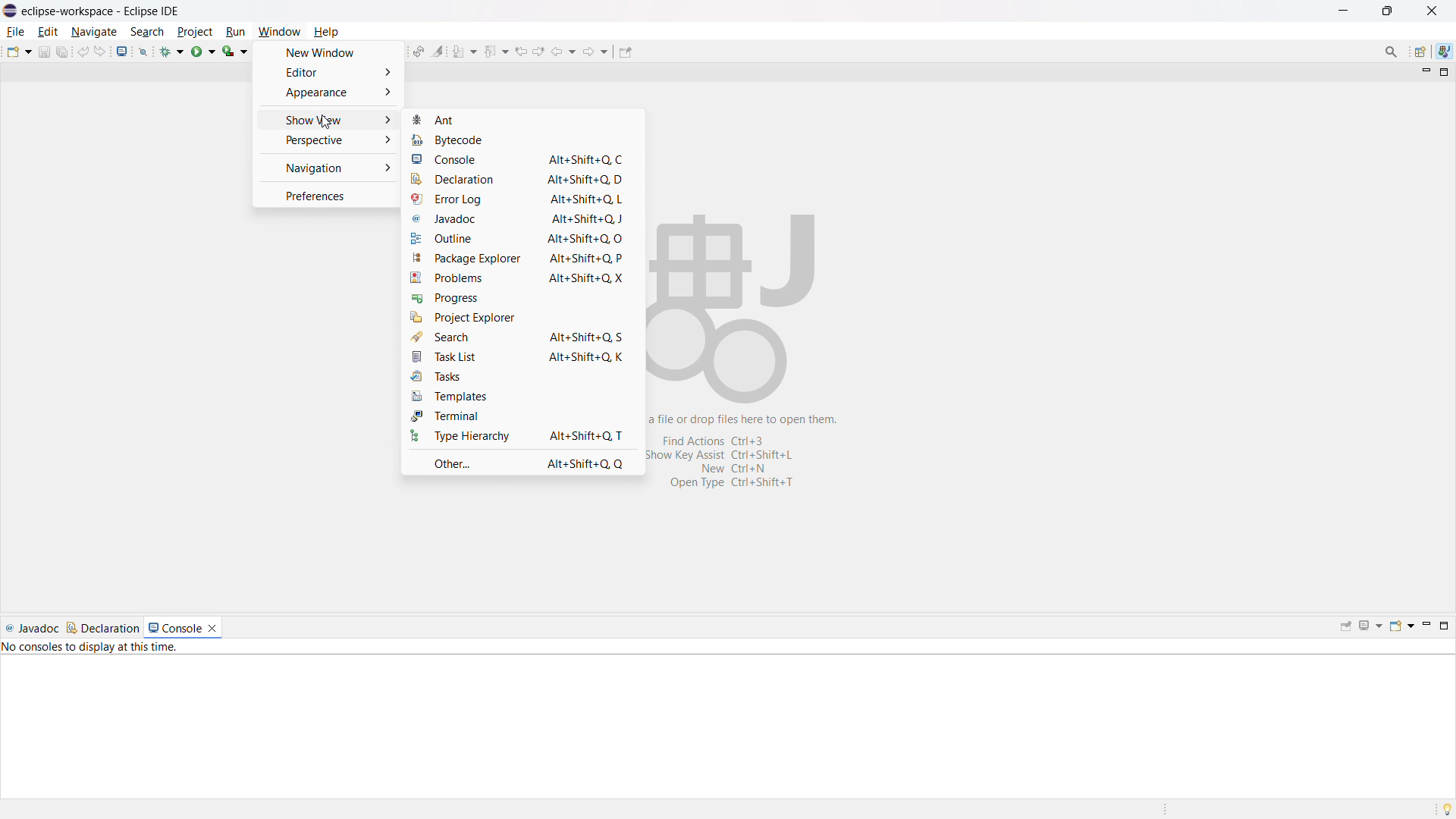 The width and height of the screenshot is (1456, 819). What do you see at coordinates (325, 196) in the screenshot?
I see `preferences` at bounding box center [325, 196].